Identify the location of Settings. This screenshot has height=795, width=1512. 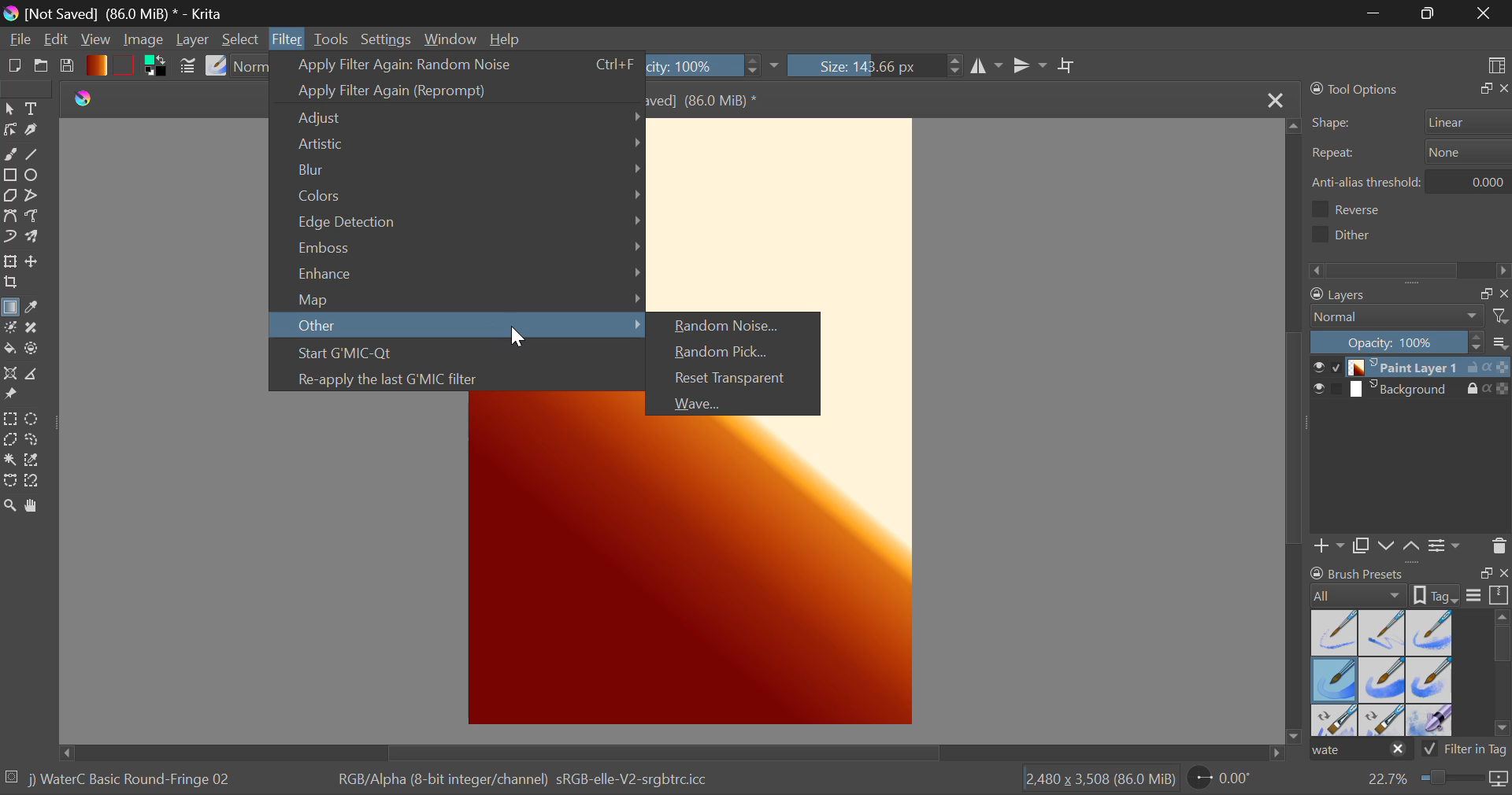
(387, 39).